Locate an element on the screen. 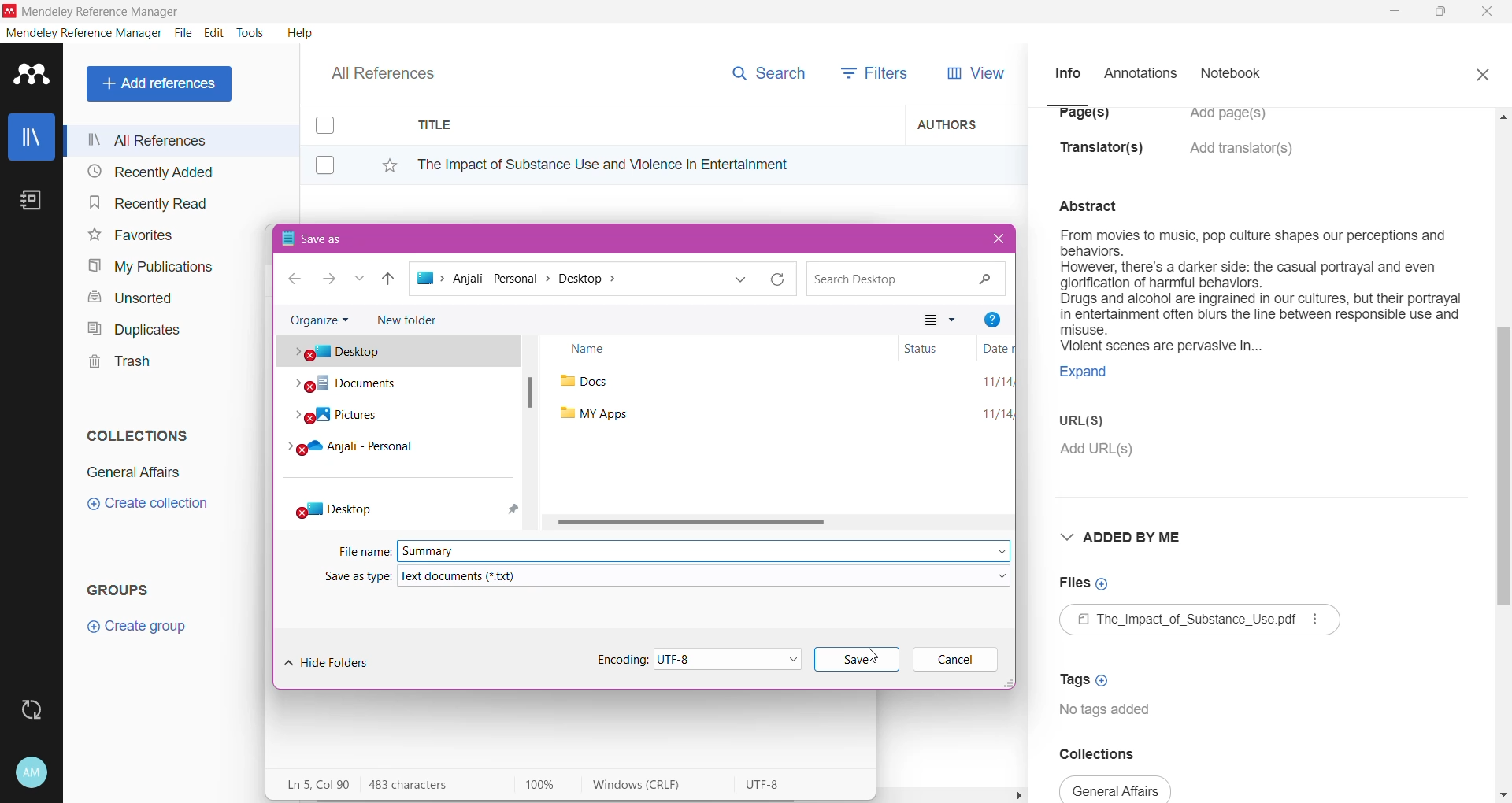 Image resolution: width=1512 pixels, height=803 pixels. Reference Title is located at coordinates (653, 164).